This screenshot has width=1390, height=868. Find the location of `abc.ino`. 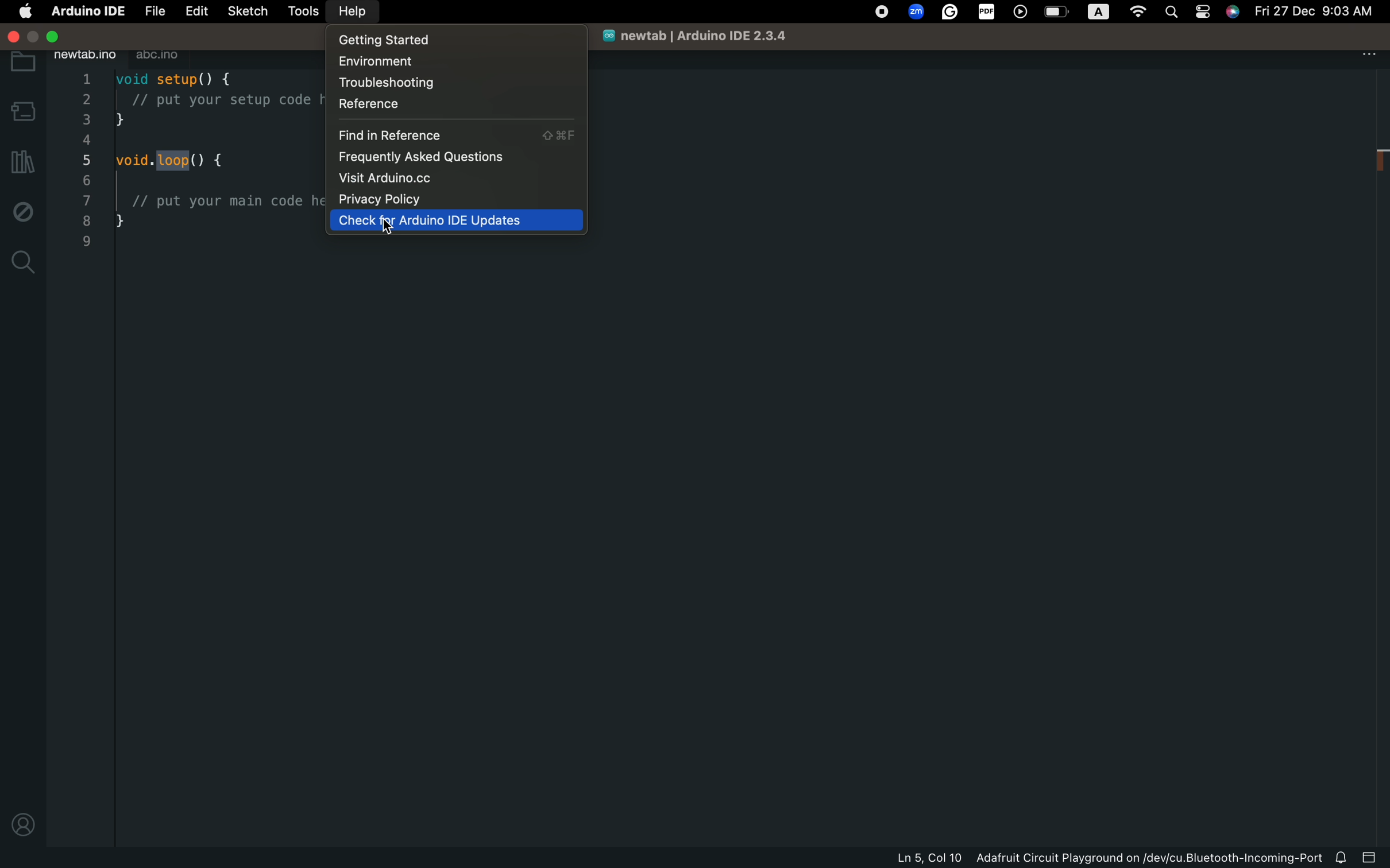

abc.ino is located at coordinates (157, 55).